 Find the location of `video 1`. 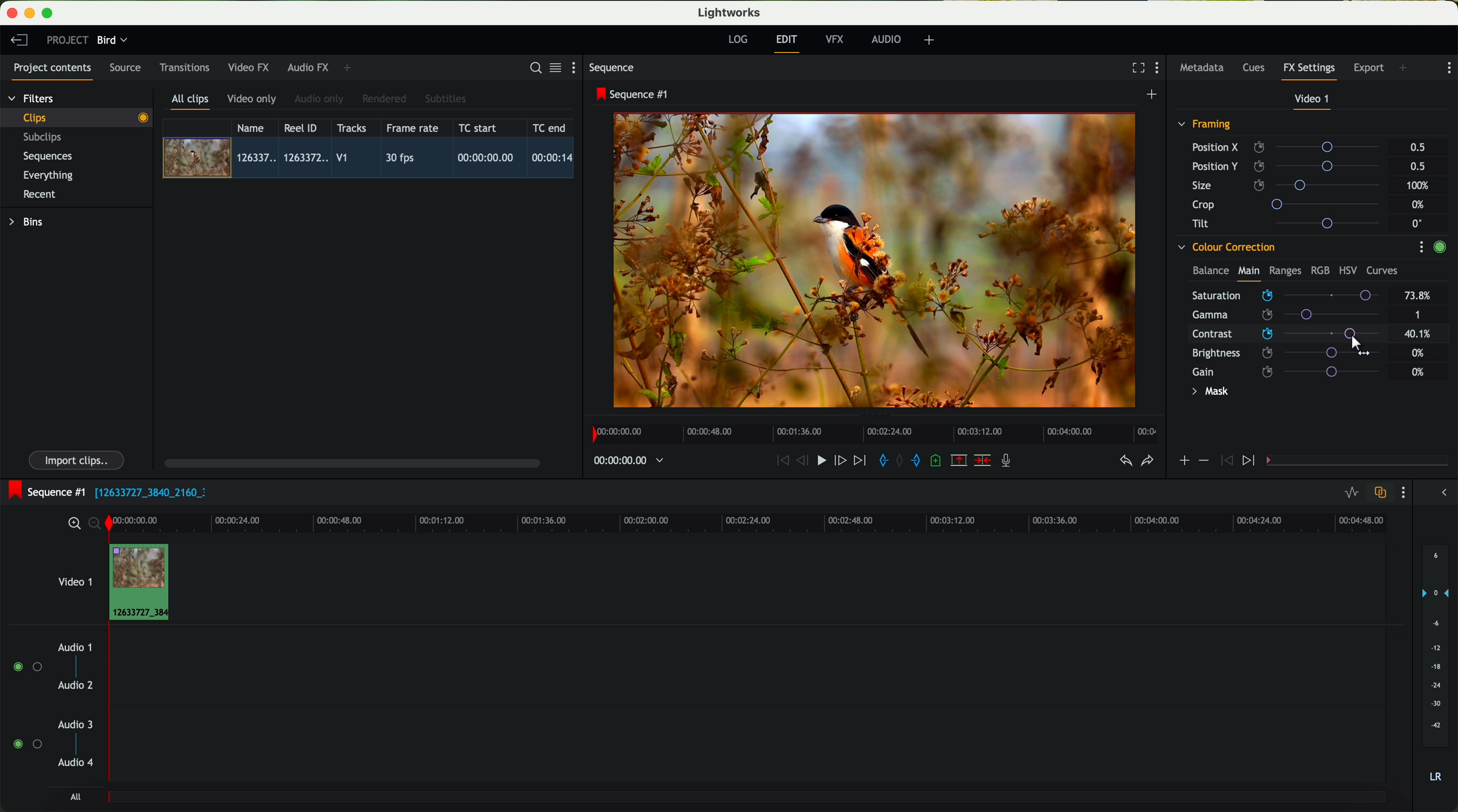

video 1 is located at coordinates (1313, 101).